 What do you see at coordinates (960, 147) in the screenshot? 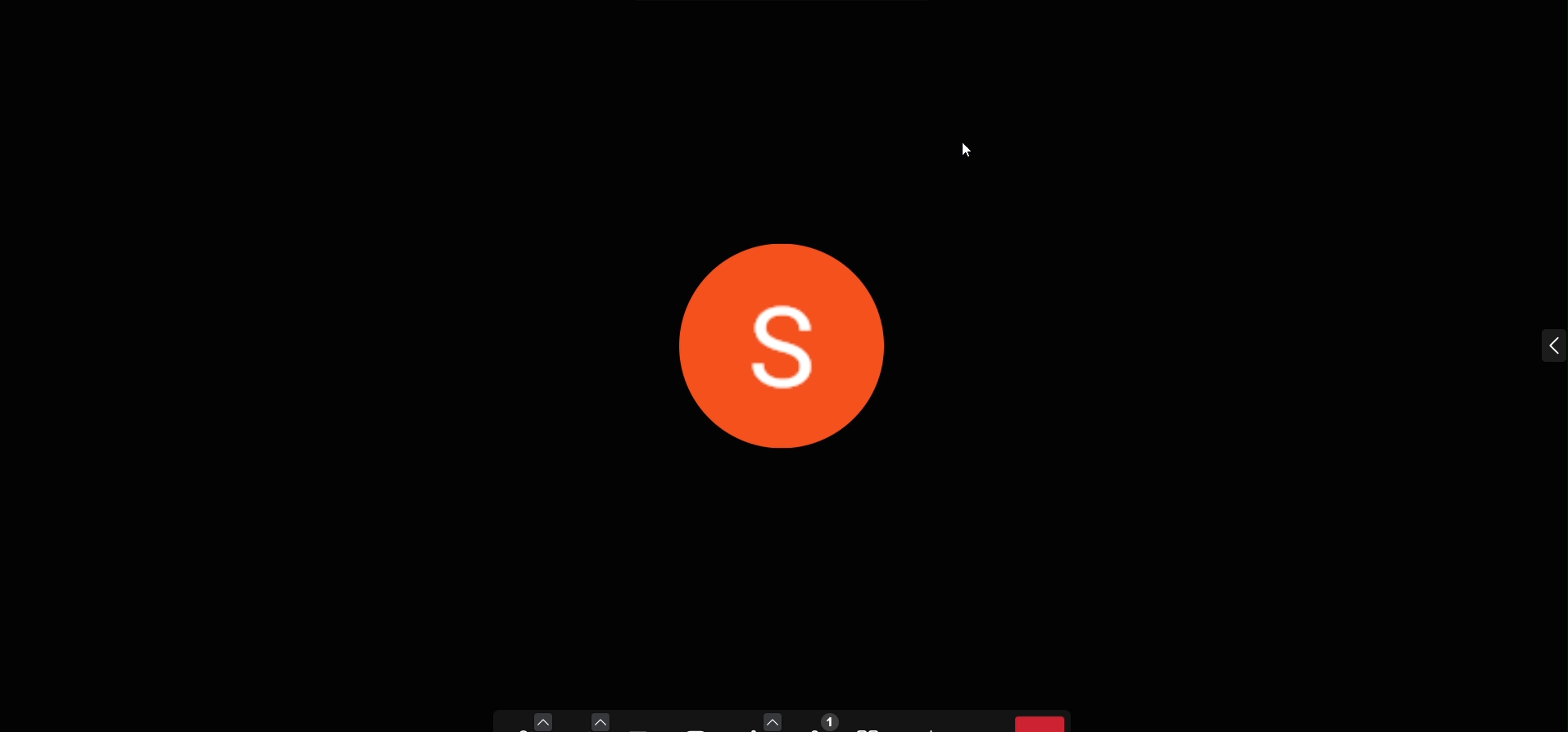
I see `cursor` at bounding box center [960, 147].